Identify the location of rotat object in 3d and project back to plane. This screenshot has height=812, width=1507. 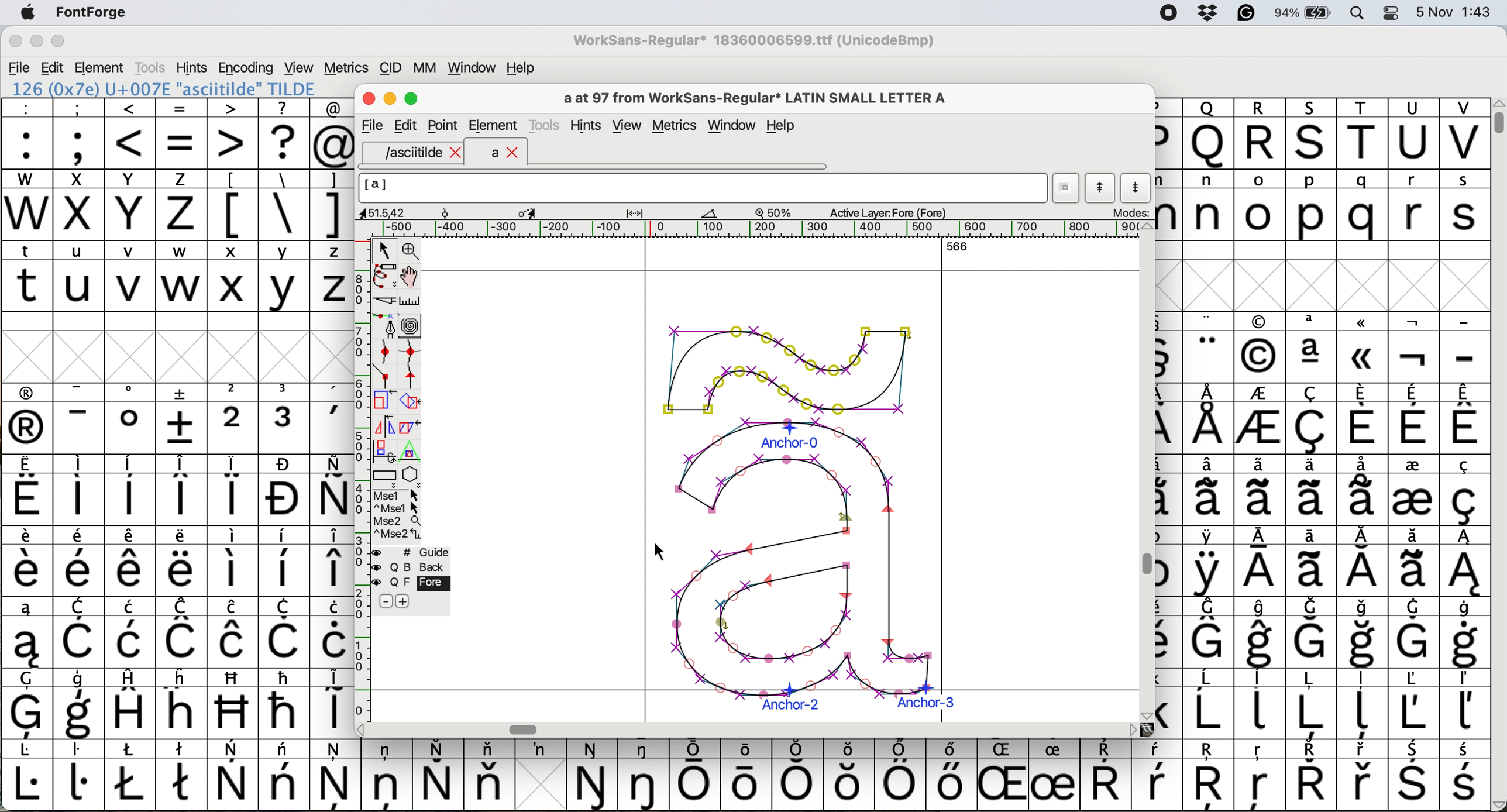
(383, 450).